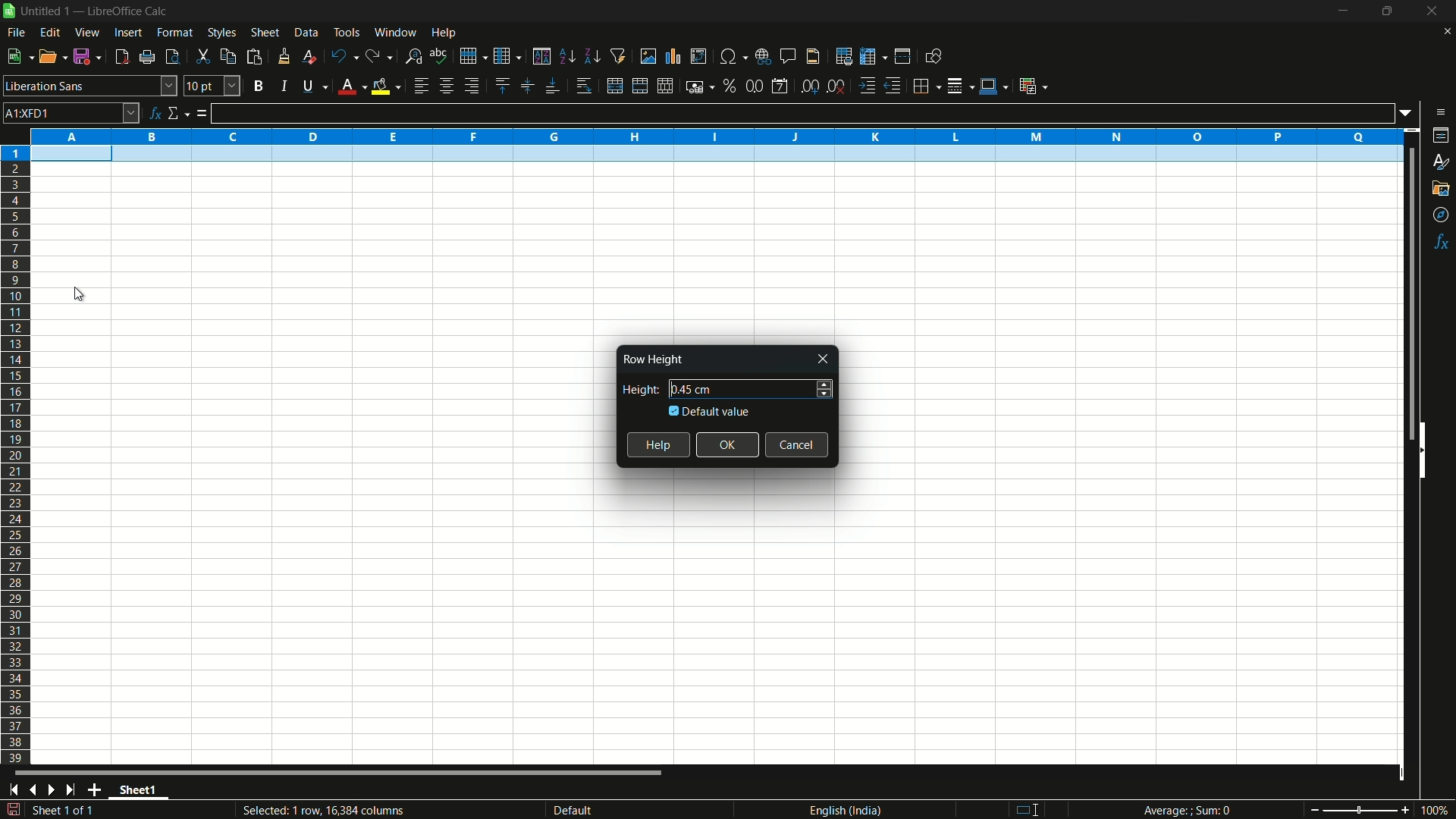 This screenshot has height=819, width=1456. What do you see at coordinates (1428, 11) in the screenshot?
I see `close app` at bounding box center [1428, 11].